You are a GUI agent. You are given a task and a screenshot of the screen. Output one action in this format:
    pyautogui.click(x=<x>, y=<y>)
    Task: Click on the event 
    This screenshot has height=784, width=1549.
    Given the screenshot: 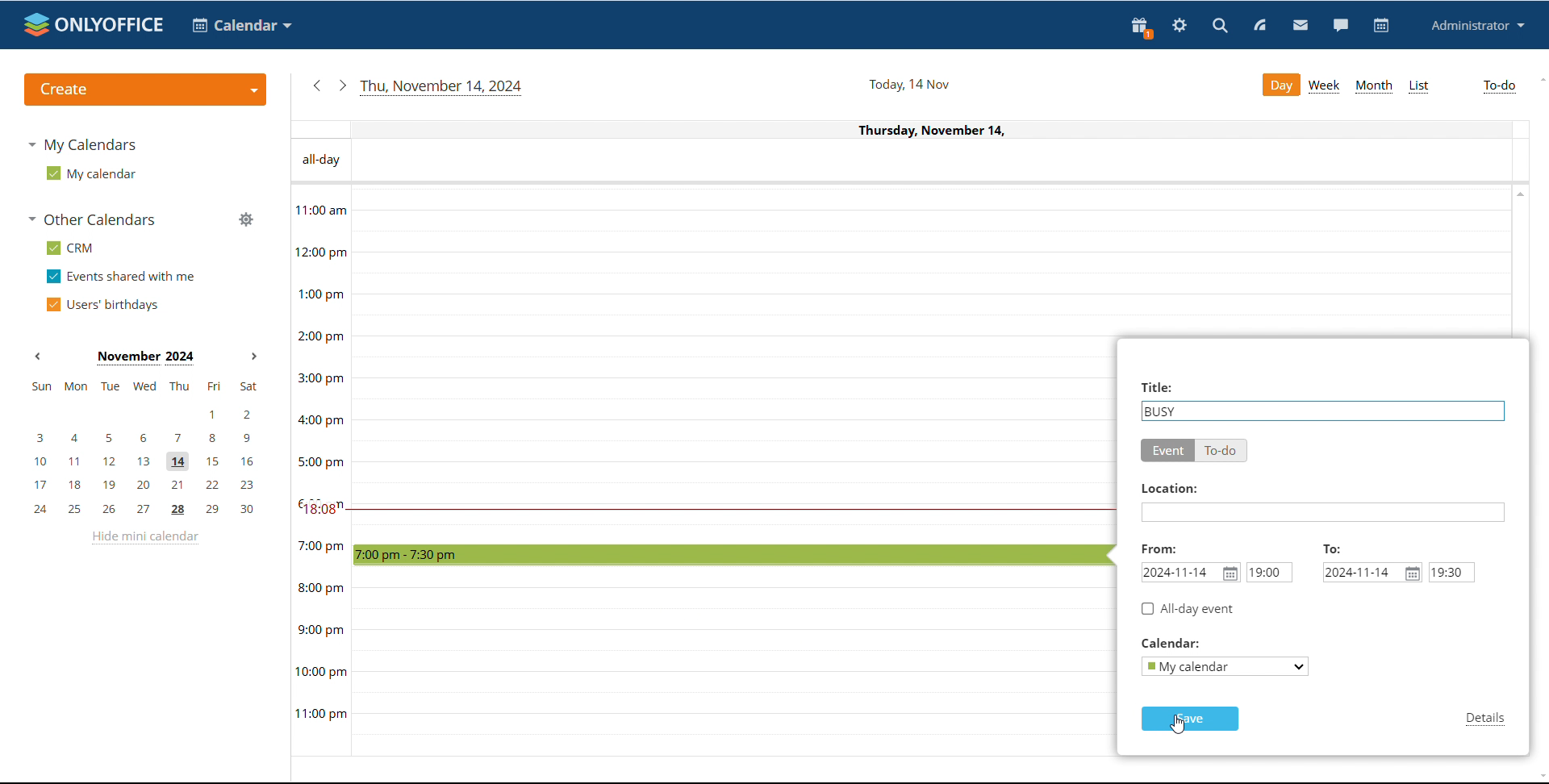 What is the action you would take?
    pyautogui.click(x=1167, y=450)
    